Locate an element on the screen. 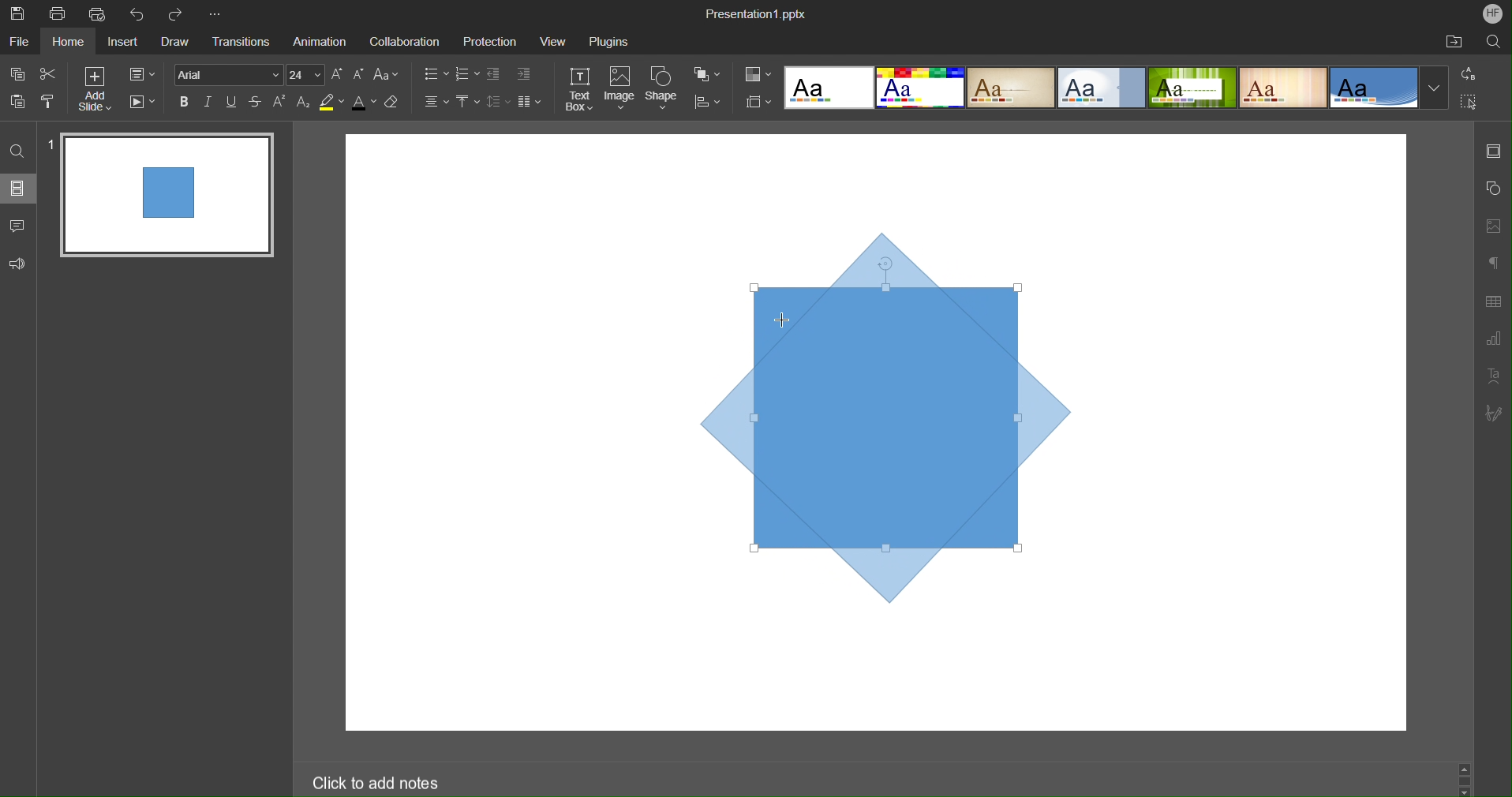 The image size is (1512, 797). Insert is located at coordinates (121, 42).